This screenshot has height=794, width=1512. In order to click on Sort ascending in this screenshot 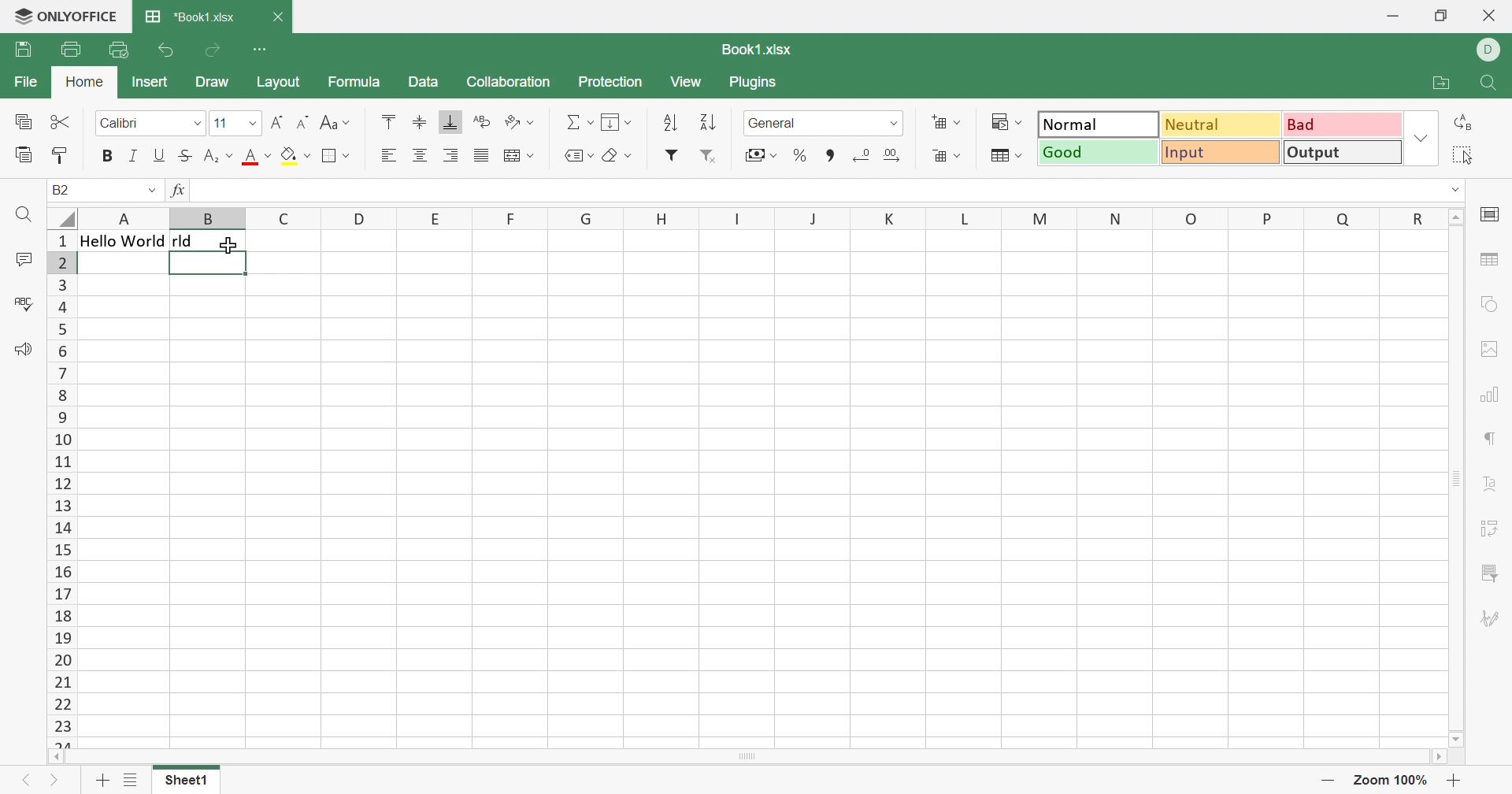, I will do `click(670, 121)`.